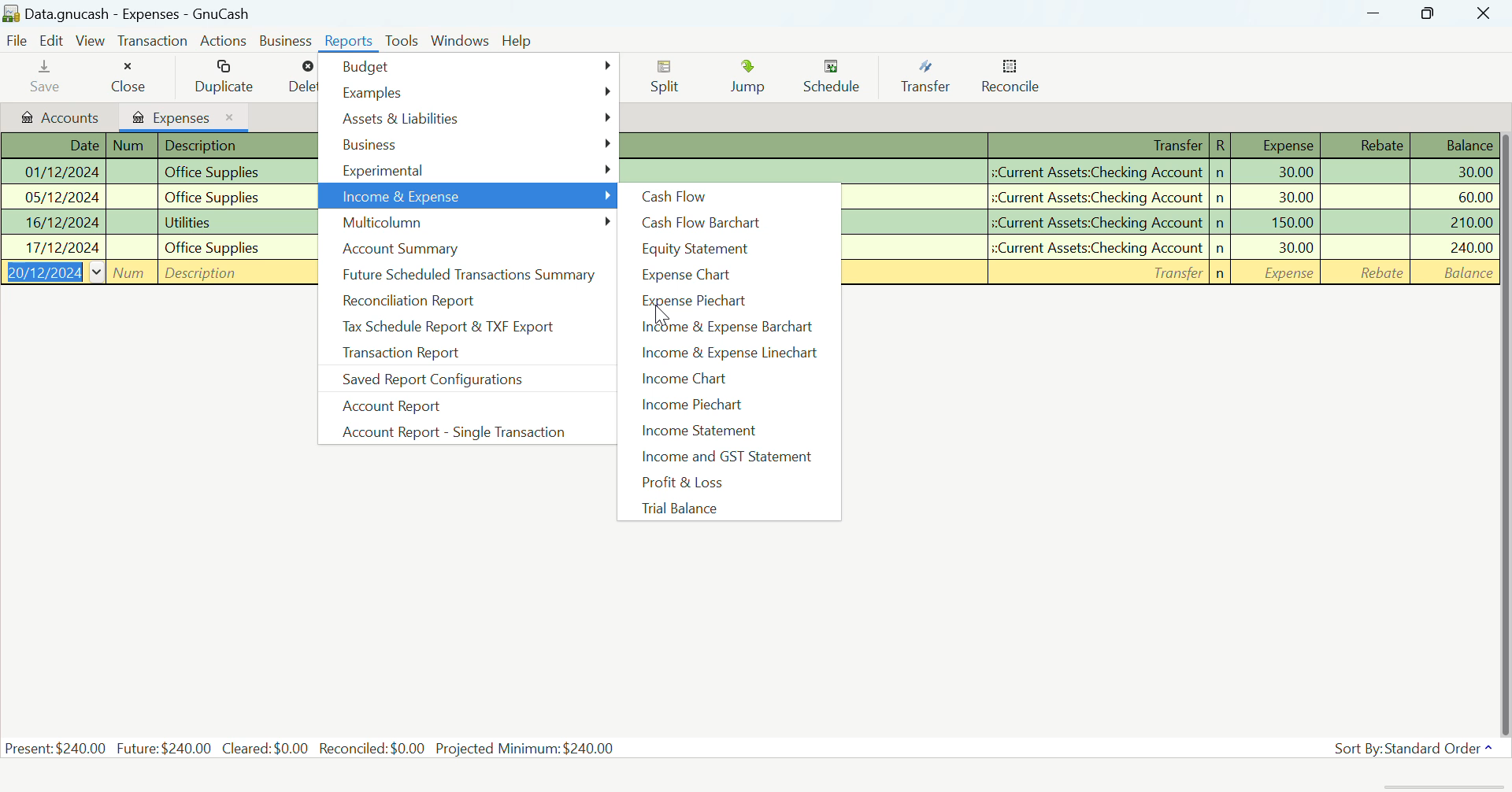 Image resolution: width=1512 pixels, height=792 pixels. What do you see at coordinates (526, 747) in the screenshot?
I see `Projected` at bounding box center [526, 747].